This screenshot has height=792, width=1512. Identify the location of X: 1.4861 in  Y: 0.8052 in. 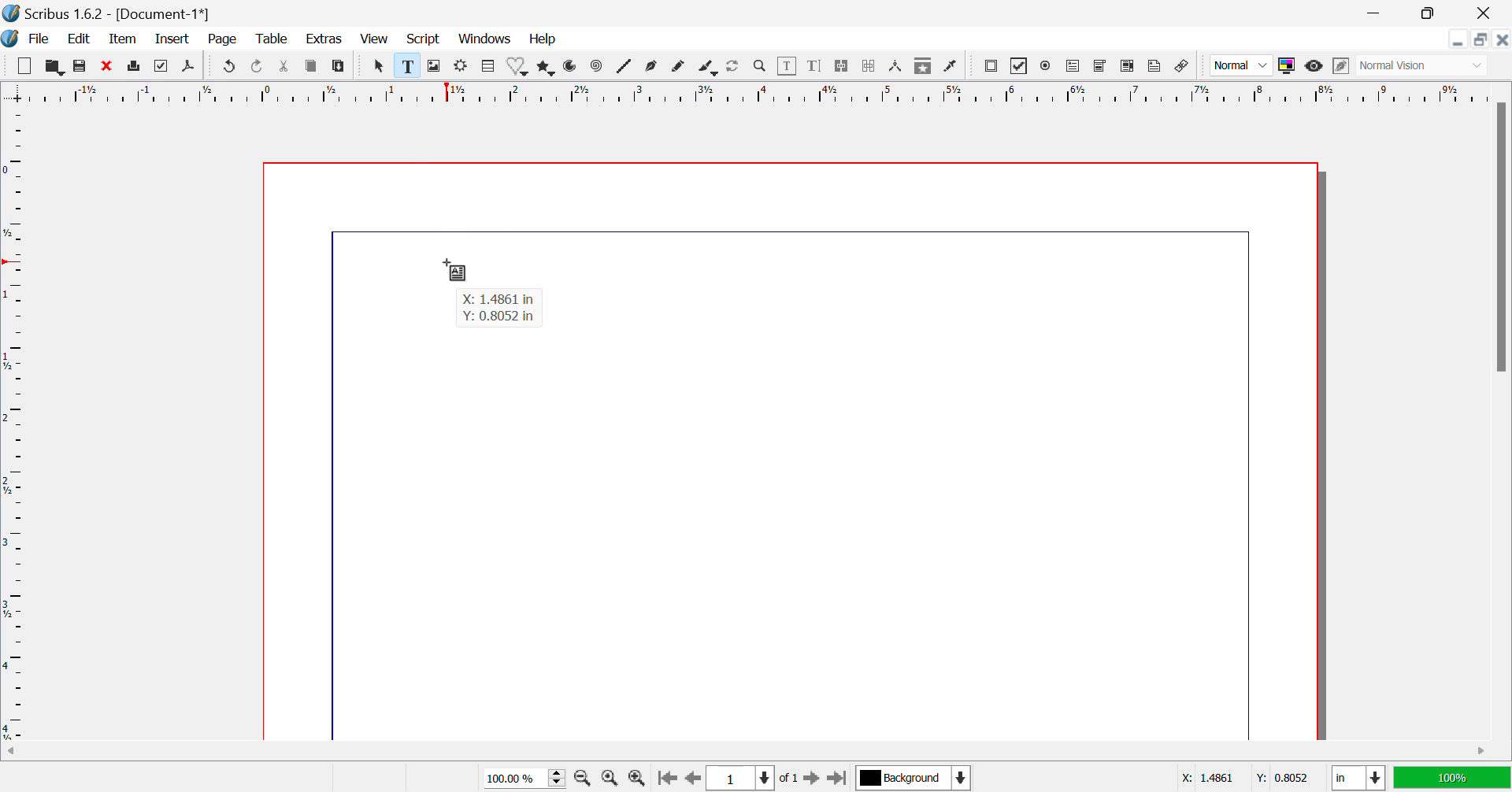
(500, 305).